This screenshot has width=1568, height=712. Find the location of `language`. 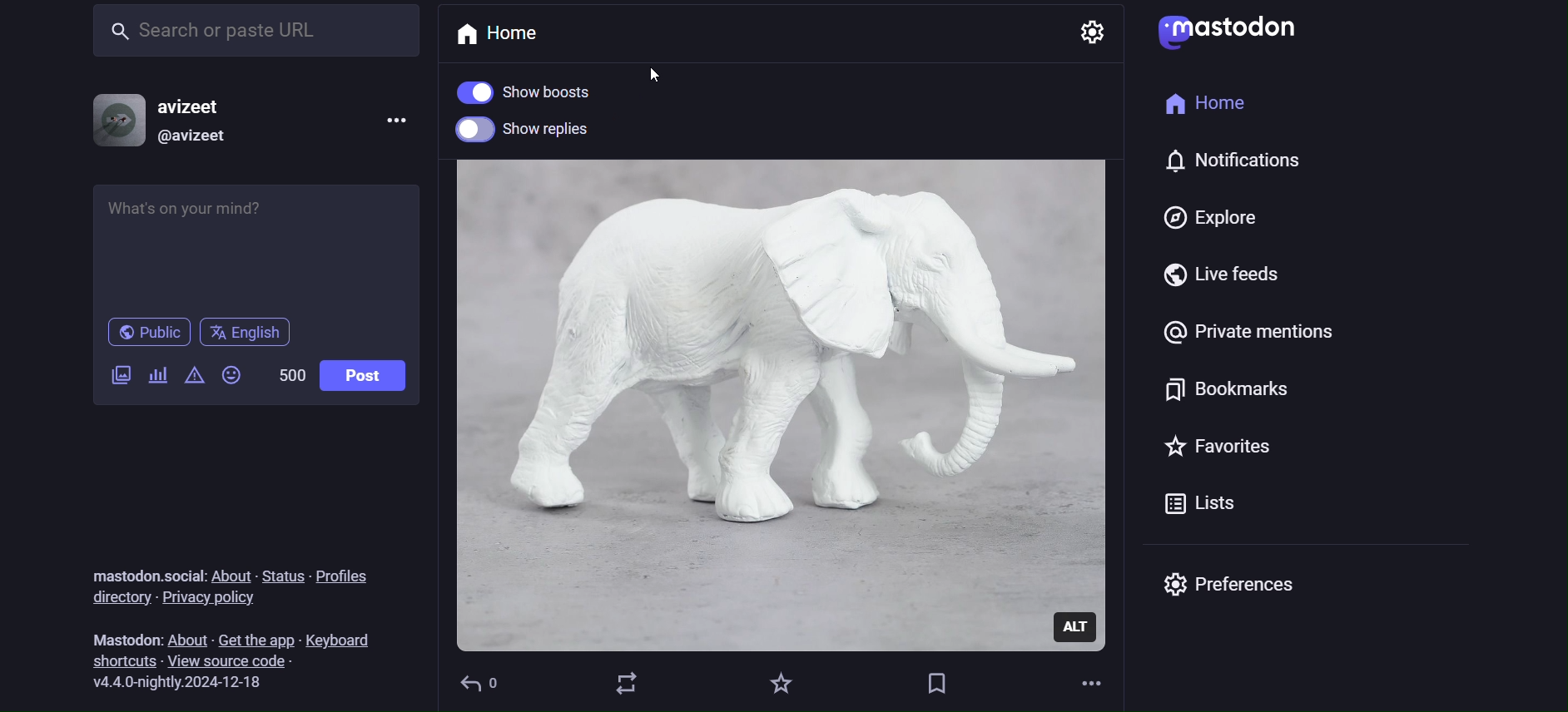

language is located at coordinates (252, 333).